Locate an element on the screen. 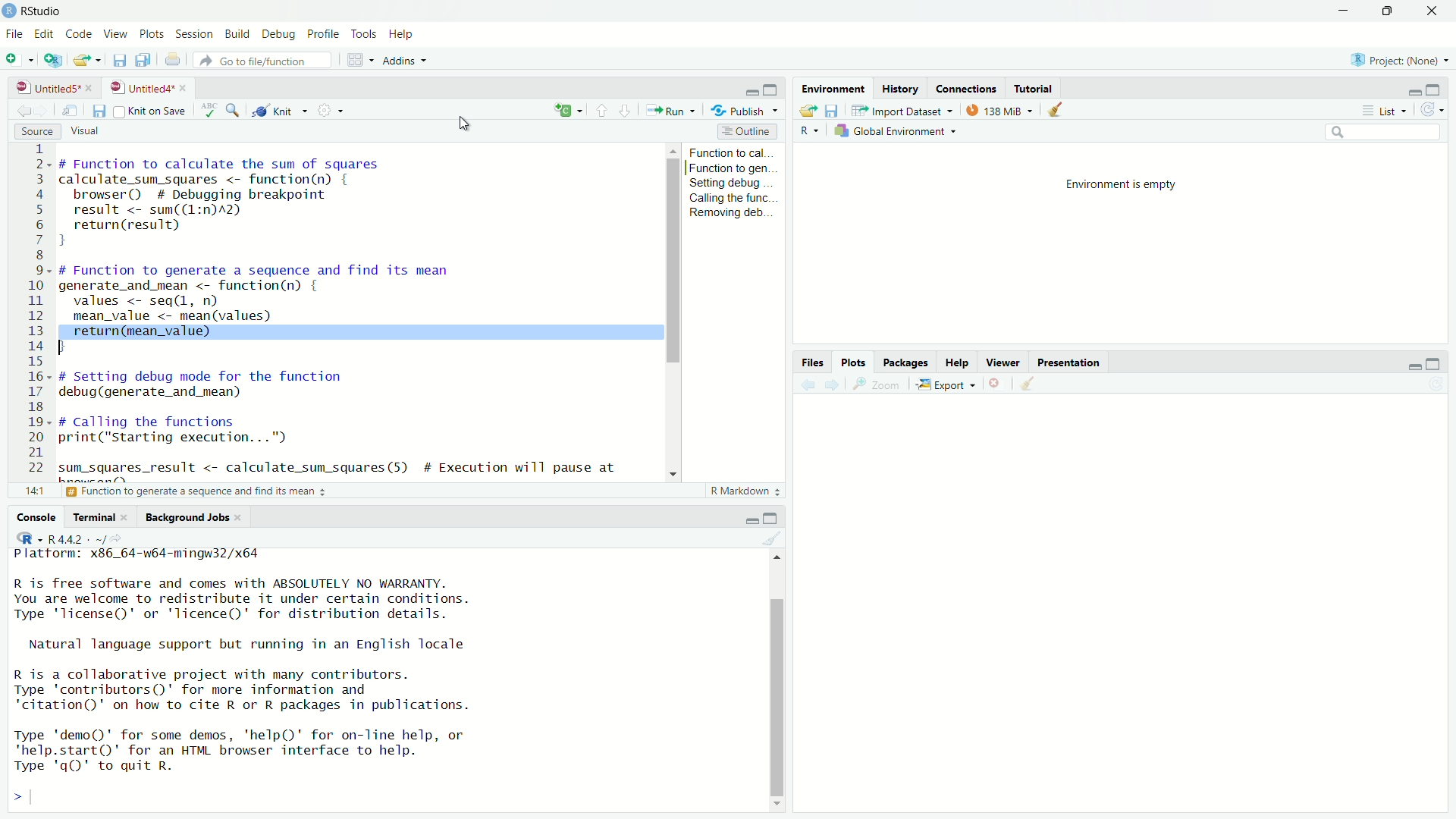 The height and width of the screenshot is (819, 1456). knit is located at coordinates (284, 108).